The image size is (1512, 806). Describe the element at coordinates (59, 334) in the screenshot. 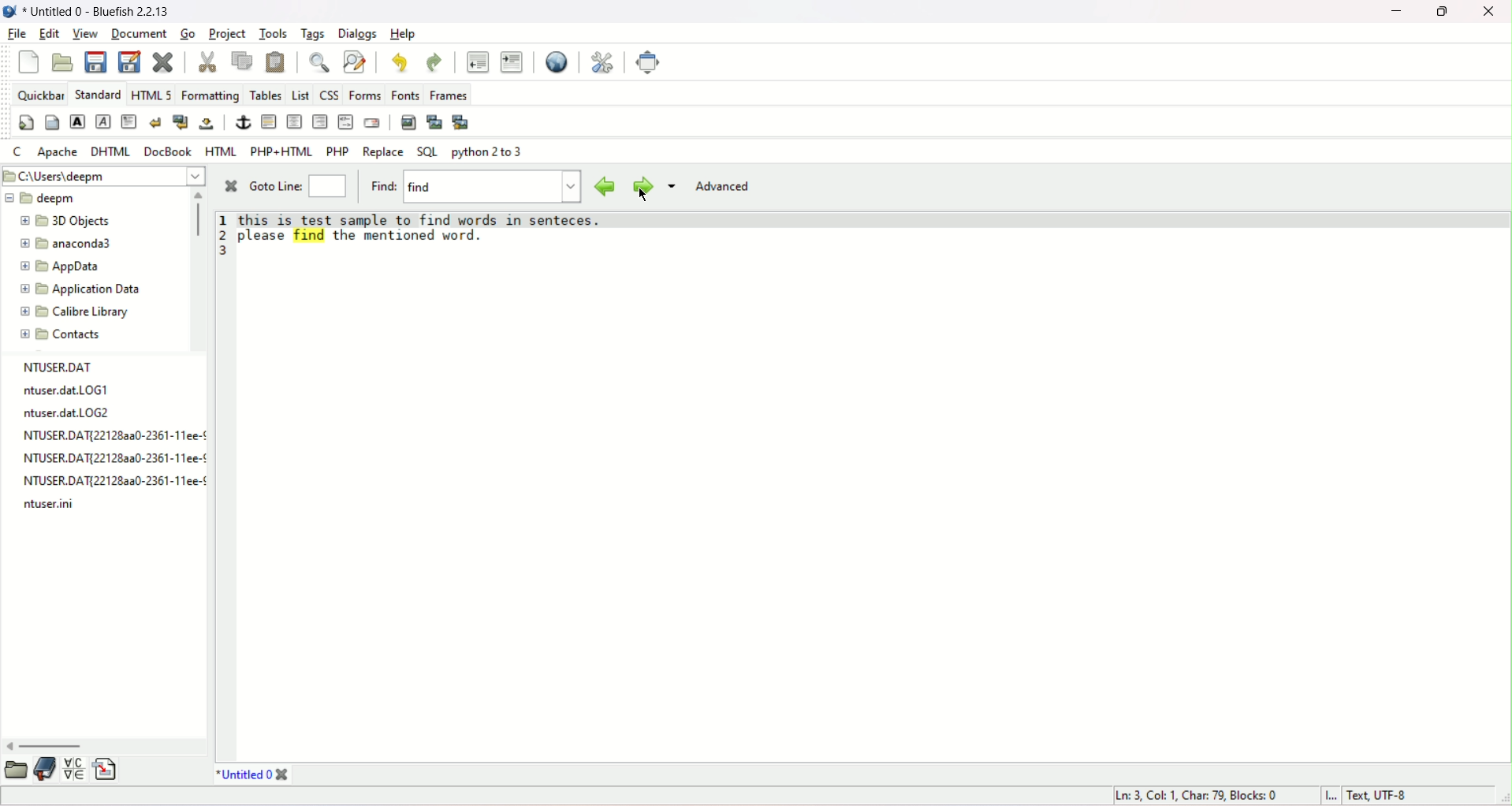

I see `contacts` at that location.